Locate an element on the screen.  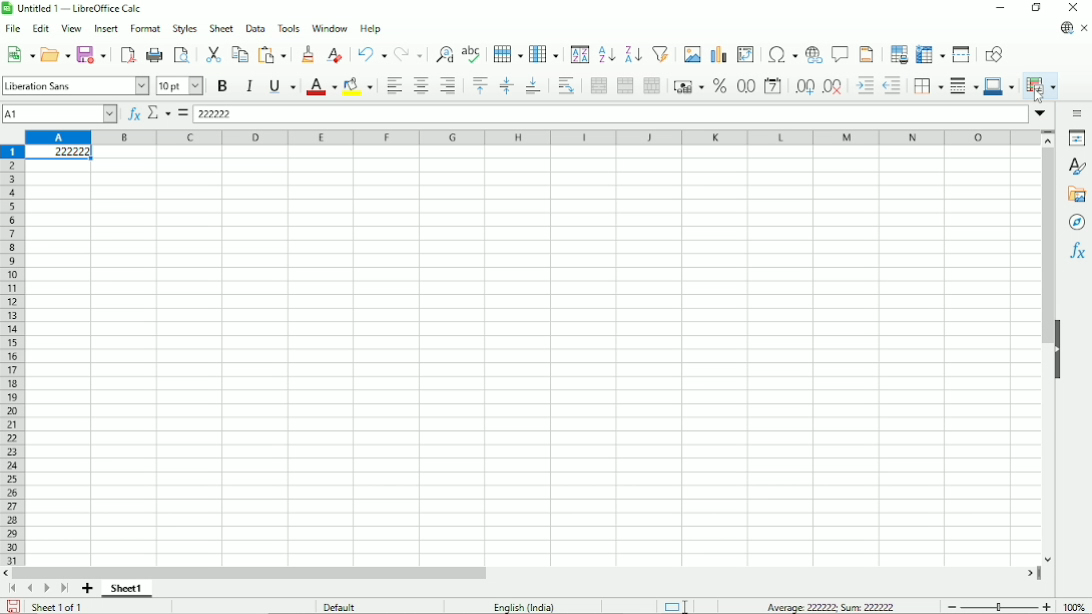
Add decimal place is located at coordinates (803, 87).